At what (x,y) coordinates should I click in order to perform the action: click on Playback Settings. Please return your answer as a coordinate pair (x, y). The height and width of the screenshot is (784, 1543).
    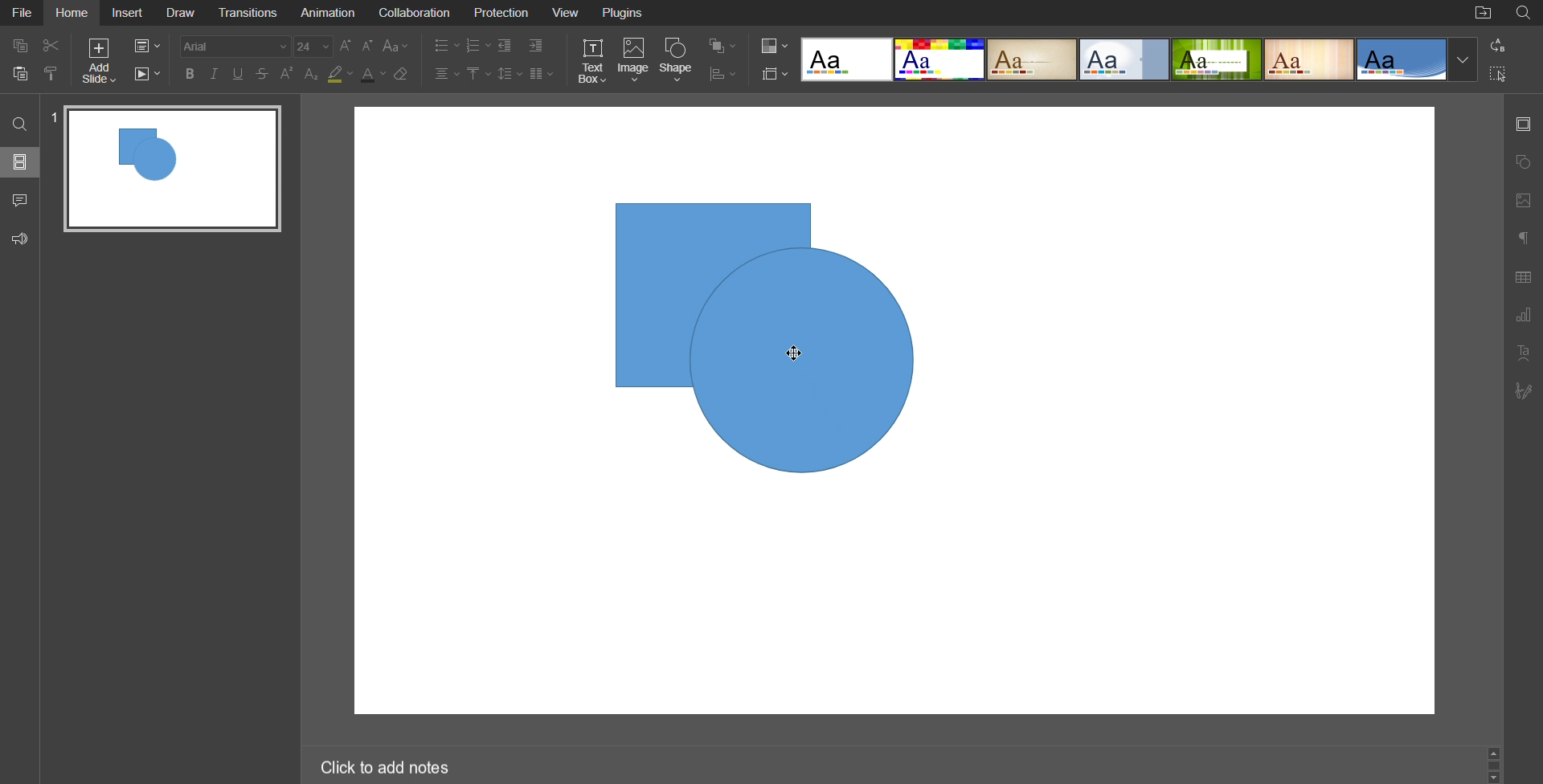
    Looking at the image, I should click on (145, 74).